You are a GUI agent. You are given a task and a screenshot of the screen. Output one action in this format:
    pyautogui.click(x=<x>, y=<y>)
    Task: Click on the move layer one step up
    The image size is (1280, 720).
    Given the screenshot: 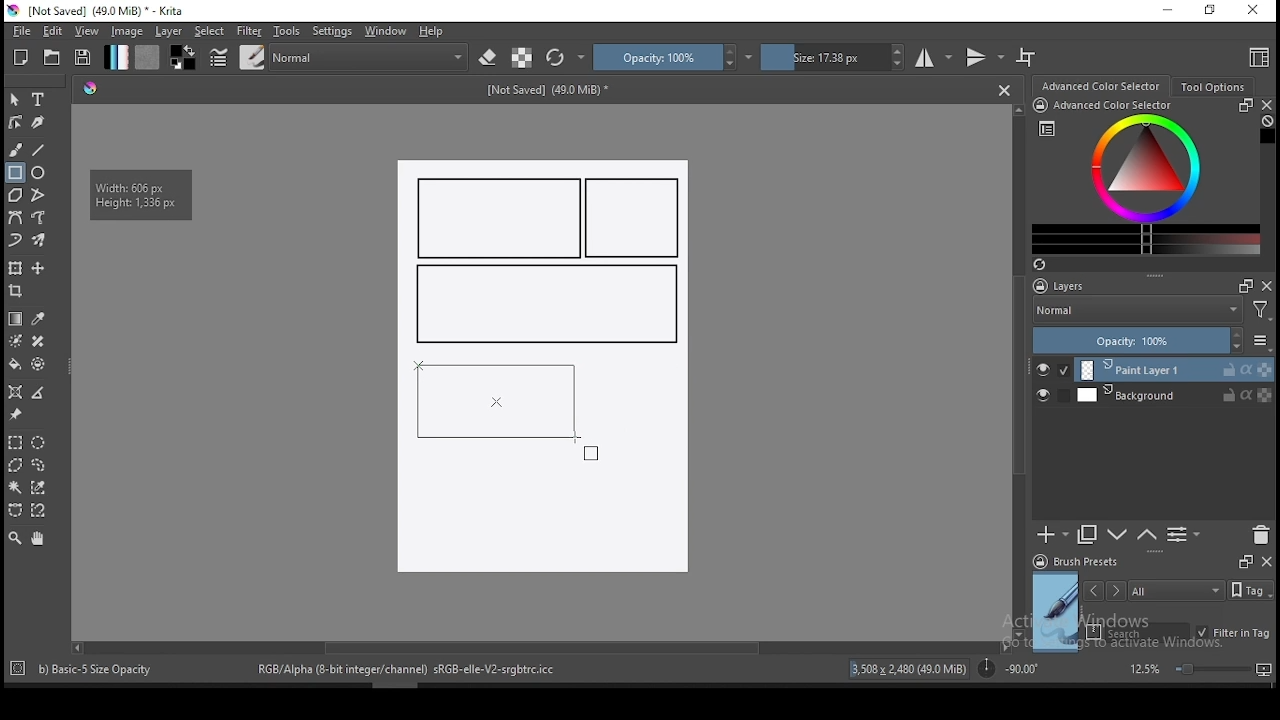 What is the action you would take?
    pyautogui.click(x=1118, y=537)
    